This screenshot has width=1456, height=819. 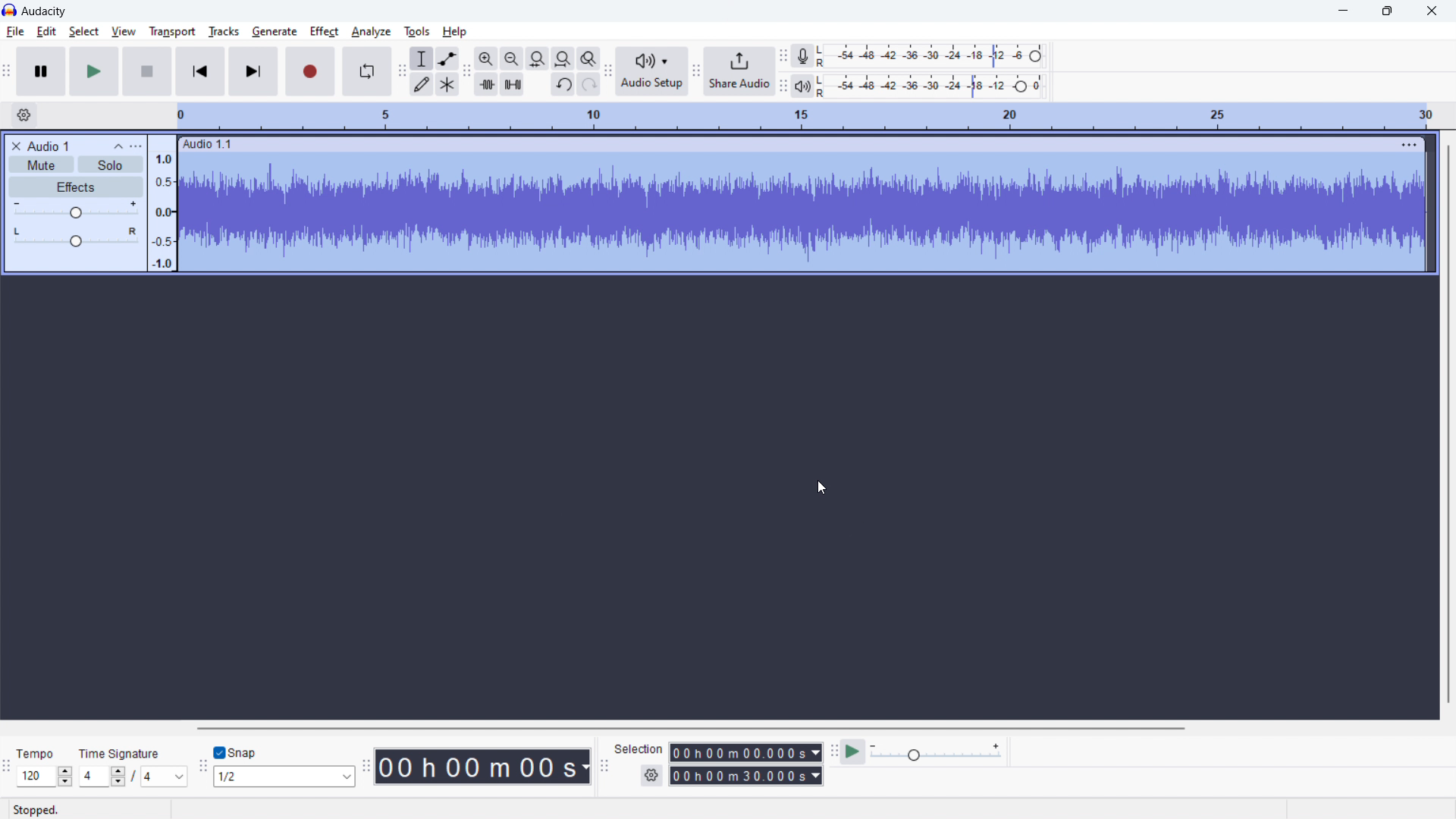 I want to click on enveloop tool, so click(x=447, y=58).